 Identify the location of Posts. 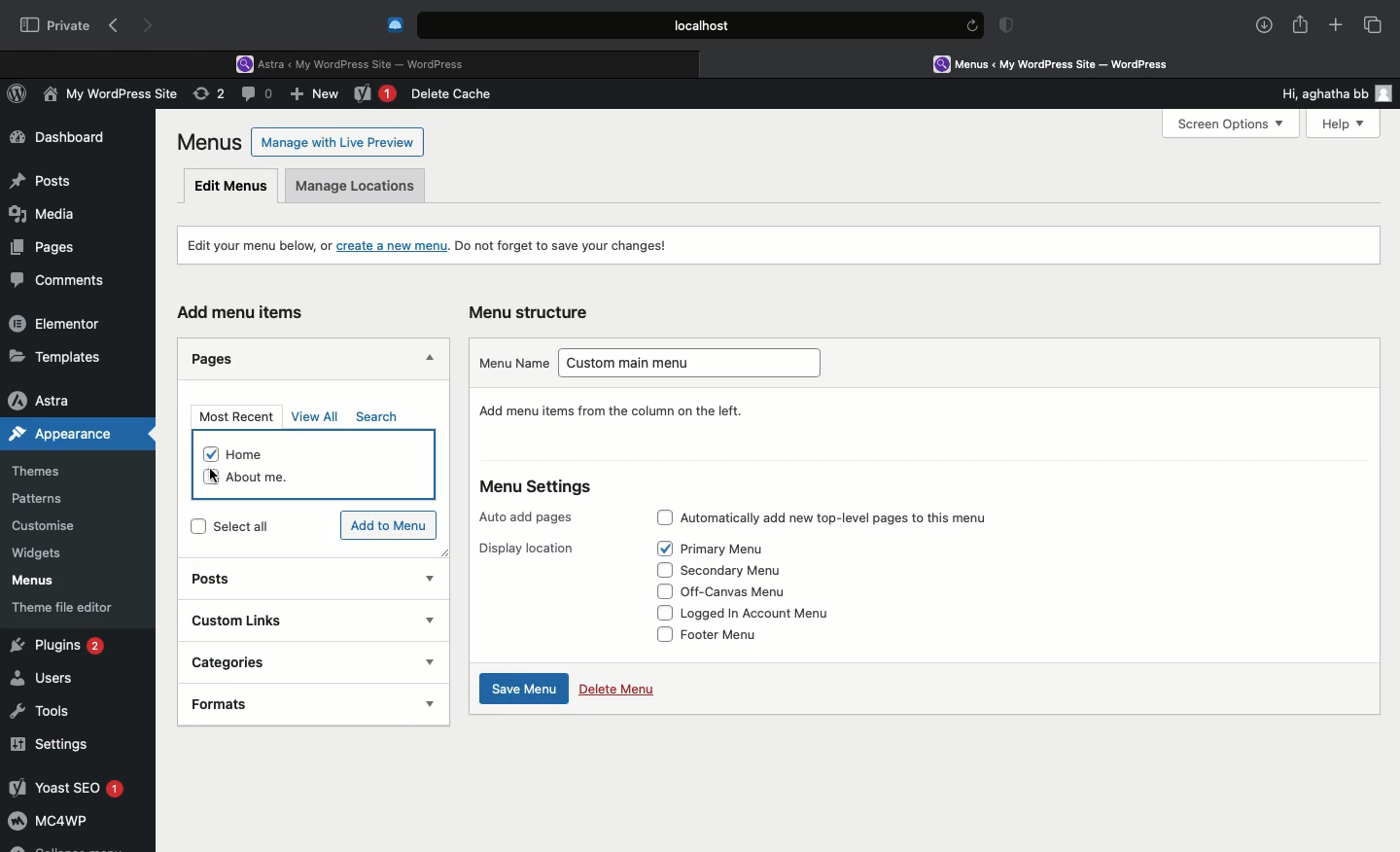
(229, 581).